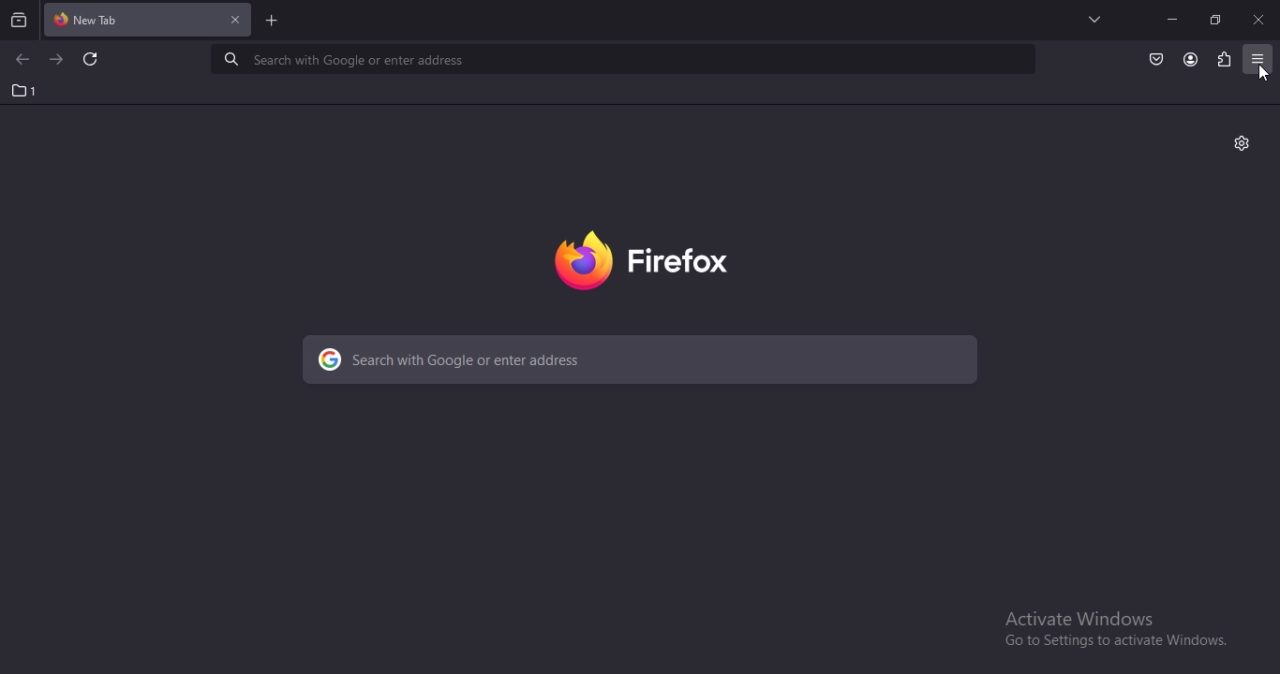 The width and height of the screenshot is (1280, 674). I want to click on extensions, so click(1222, 58).